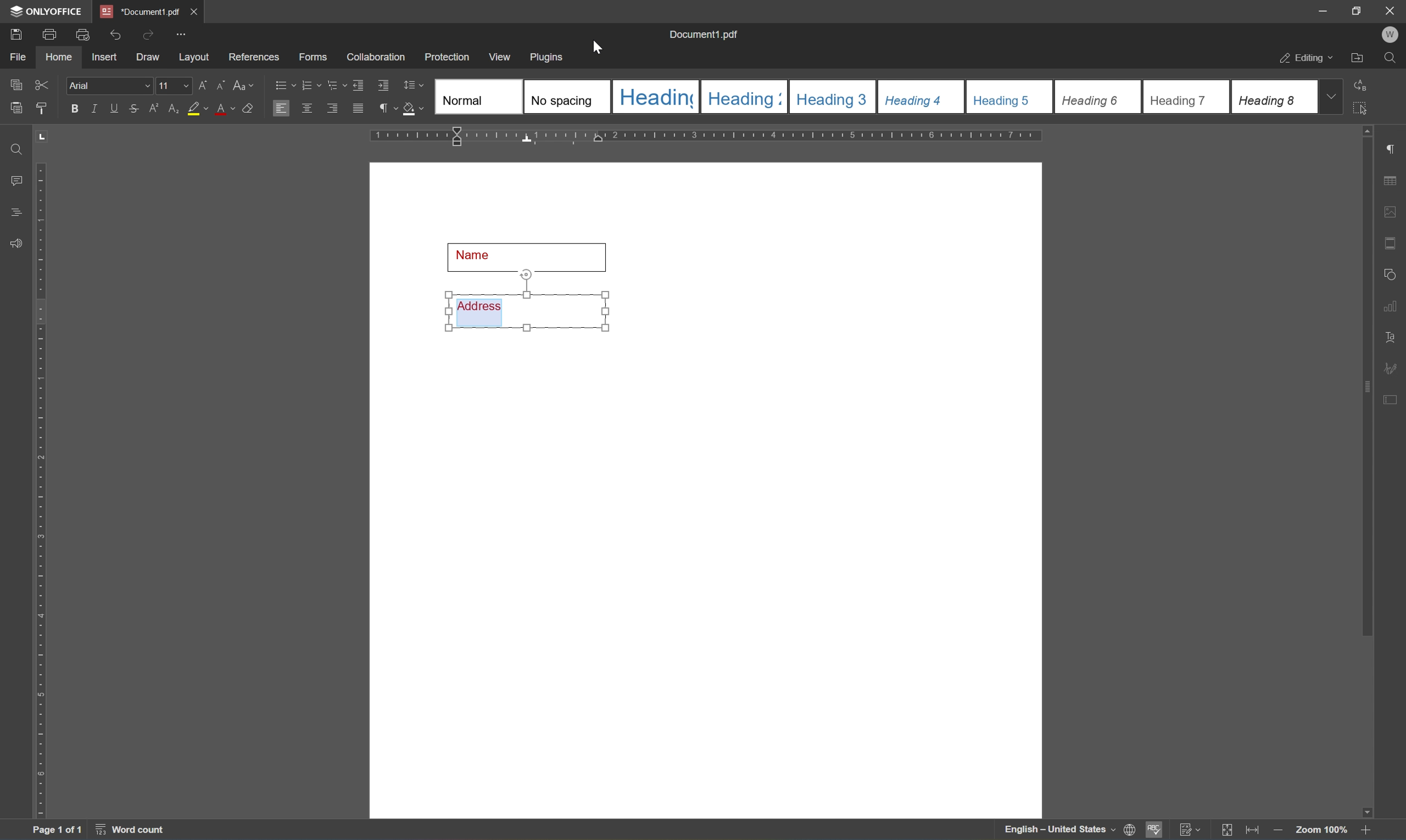 The width and height of the screenshot is (1406, 840). I want to click on image settings, so click(1391, 211).